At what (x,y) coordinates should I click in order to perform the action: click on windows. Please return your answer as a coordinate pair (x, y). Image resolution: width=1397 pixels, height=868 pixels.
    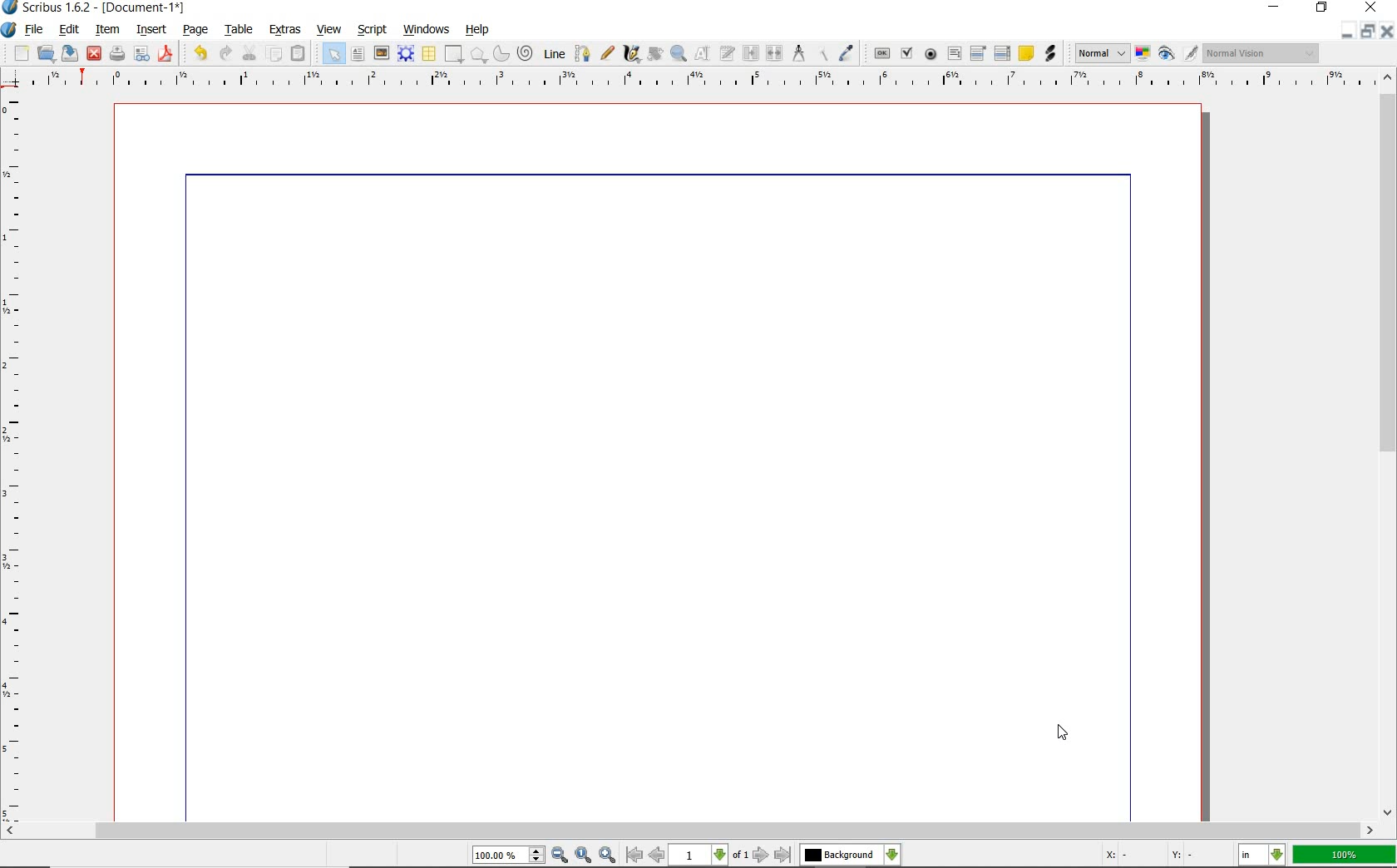
    Looking at the image, I should click on (427, 30).